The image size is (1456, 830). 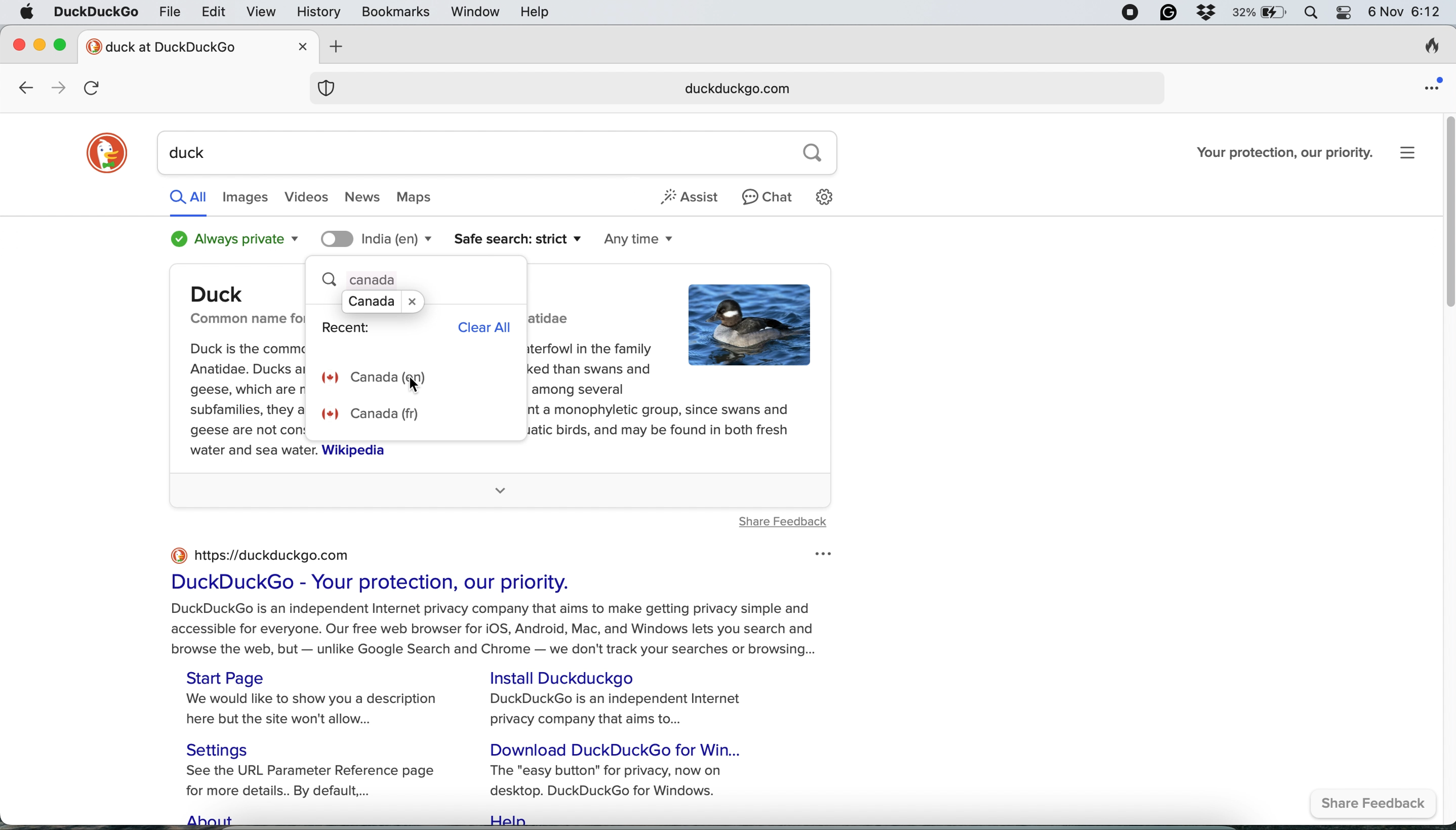 I want to click on Your protection, our priority., so click(x=1285, y=152).